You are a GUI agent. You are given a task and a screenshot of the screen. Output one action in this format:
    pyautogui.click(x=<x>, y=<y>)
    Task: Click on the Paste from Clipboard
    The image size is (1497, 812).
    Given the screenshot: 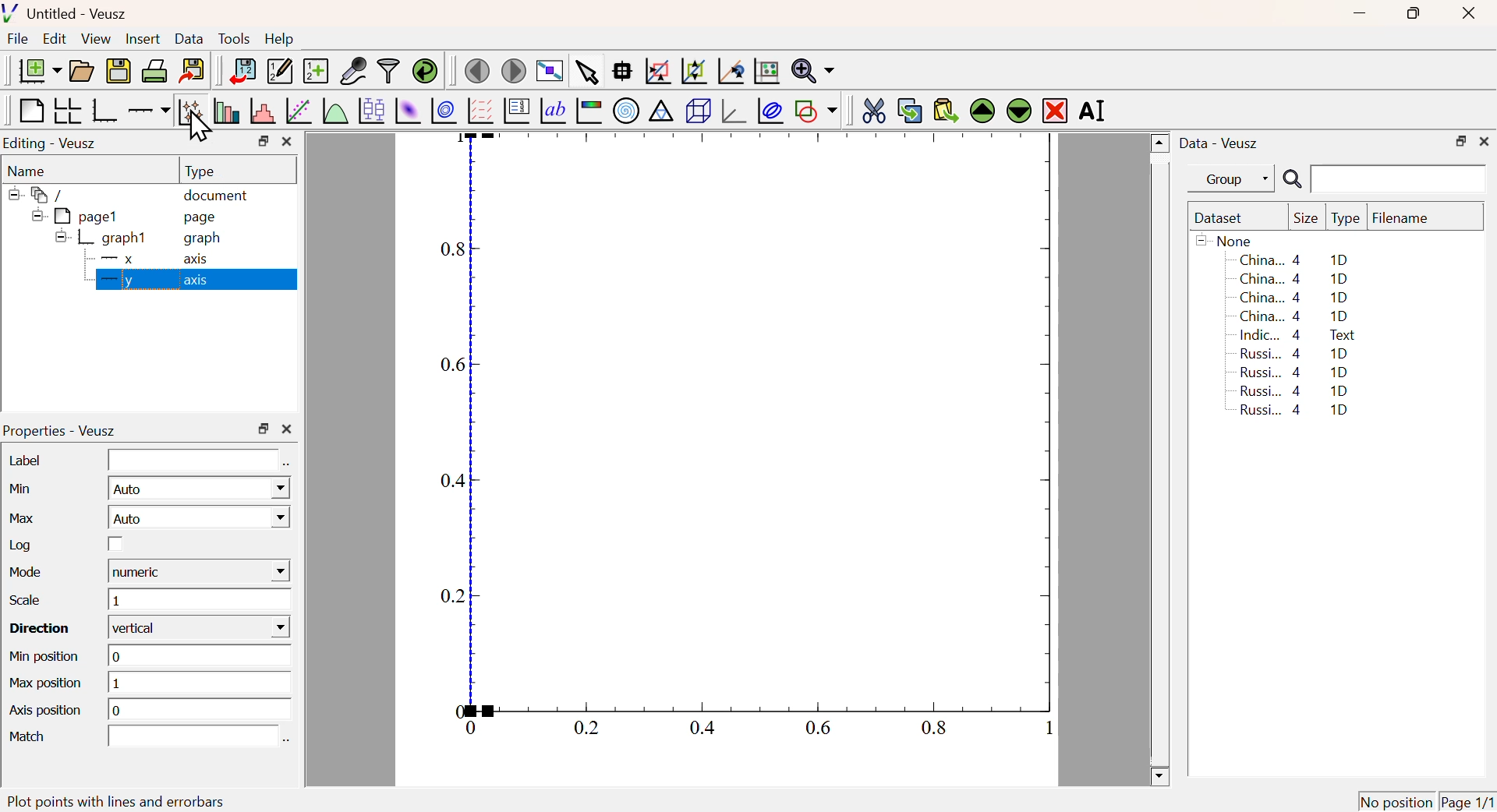 What is the action you would take?
    pyautogui.click(x=946, y=110)
    